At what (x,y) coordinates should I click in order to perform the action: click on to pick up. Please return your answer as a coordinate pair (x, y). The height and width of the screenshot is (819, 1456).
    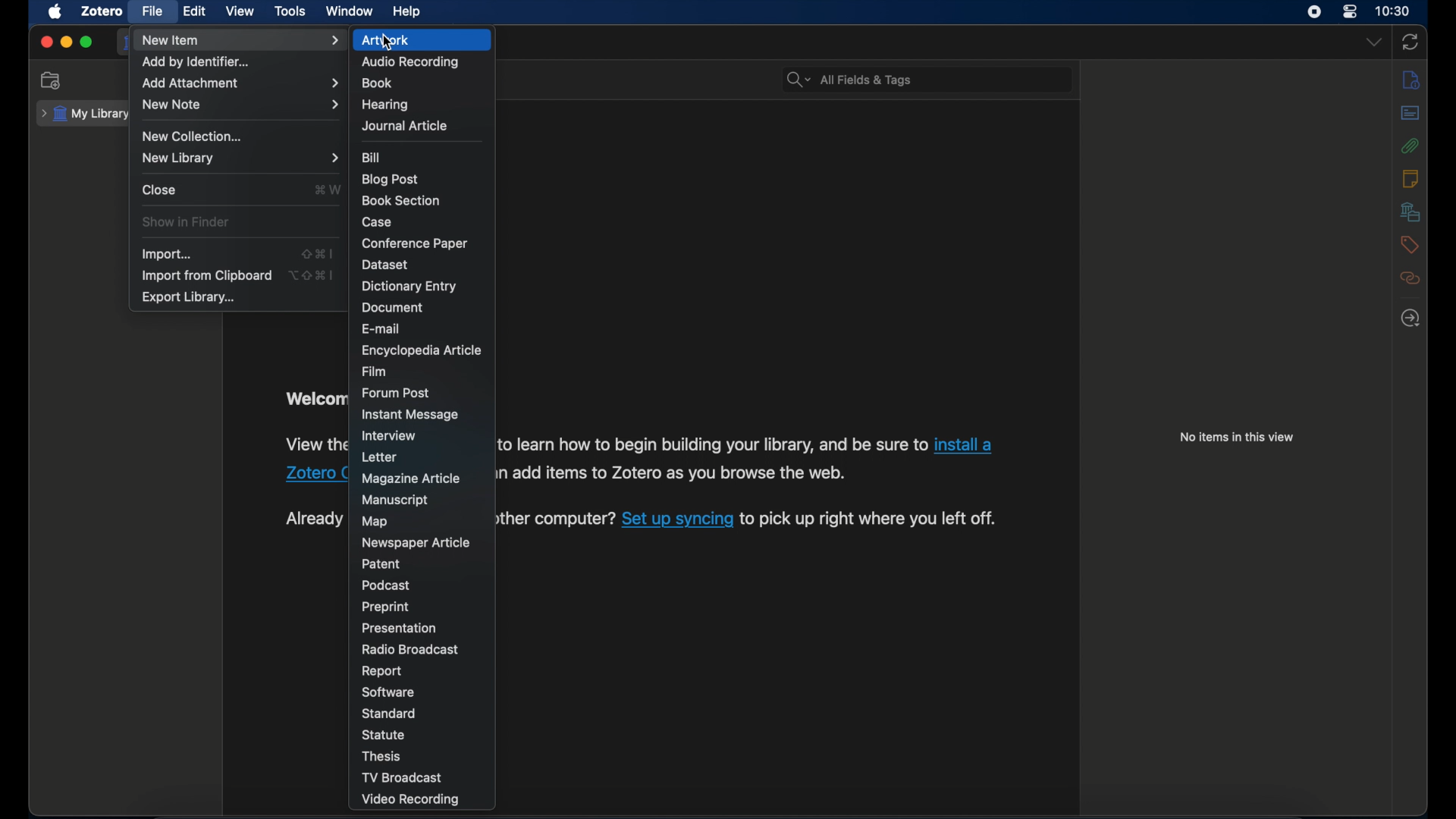
    Looking at the image, I should click on (869, 522).